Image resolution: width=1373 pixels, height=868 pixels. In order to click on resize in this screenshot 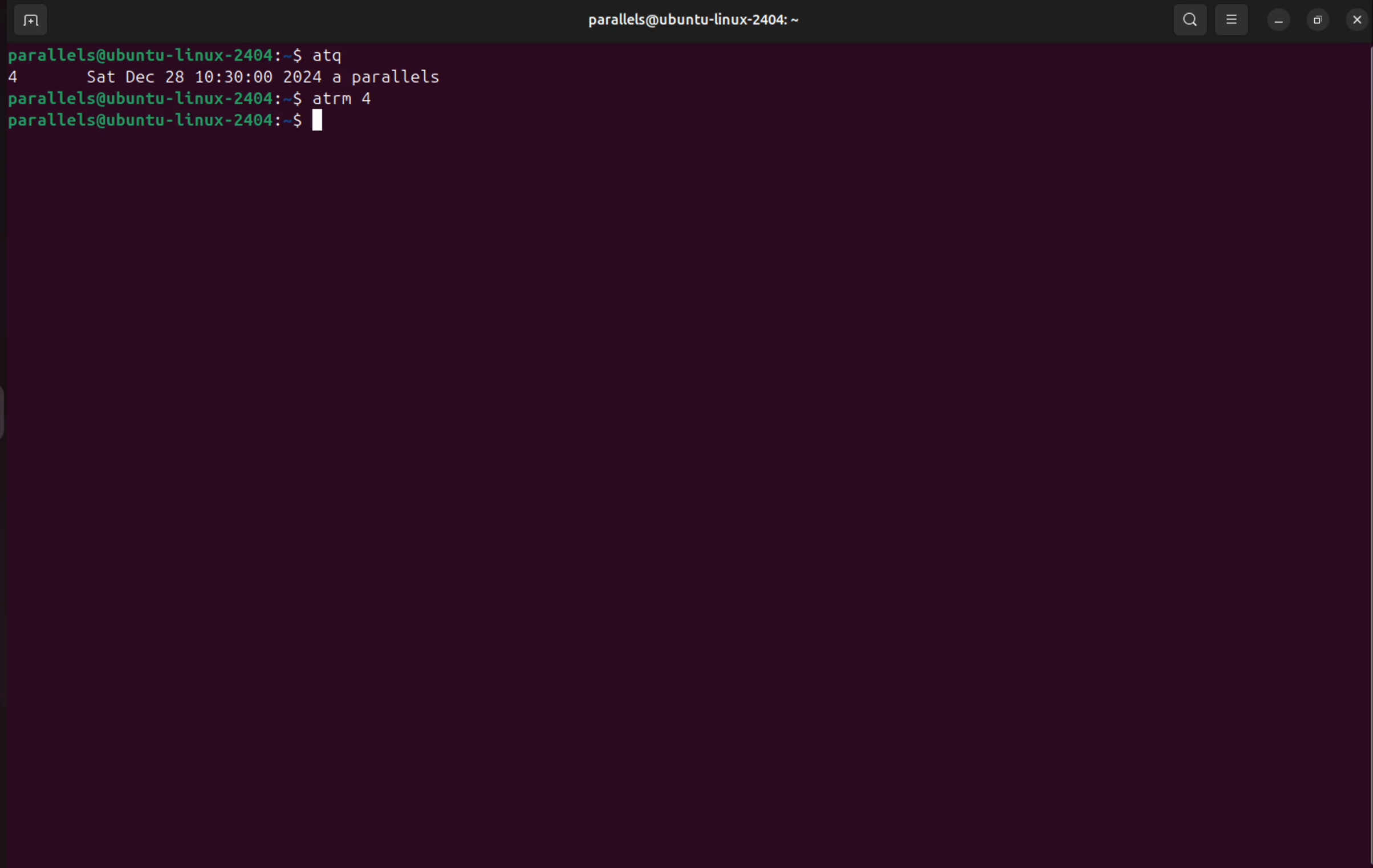, I will do `click(1316, 19)`.